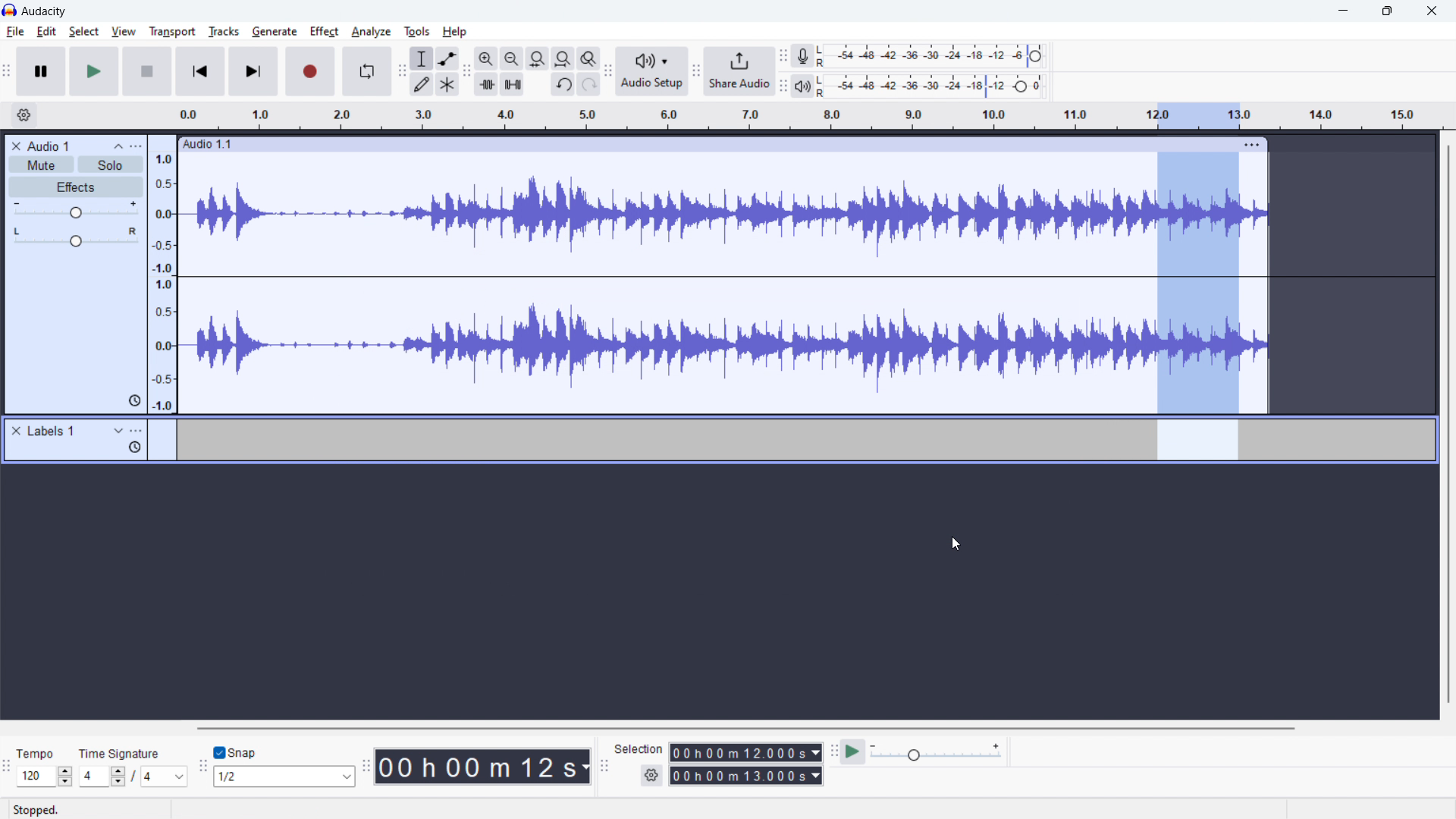  I want to click on set time signature, so click(134, 776).